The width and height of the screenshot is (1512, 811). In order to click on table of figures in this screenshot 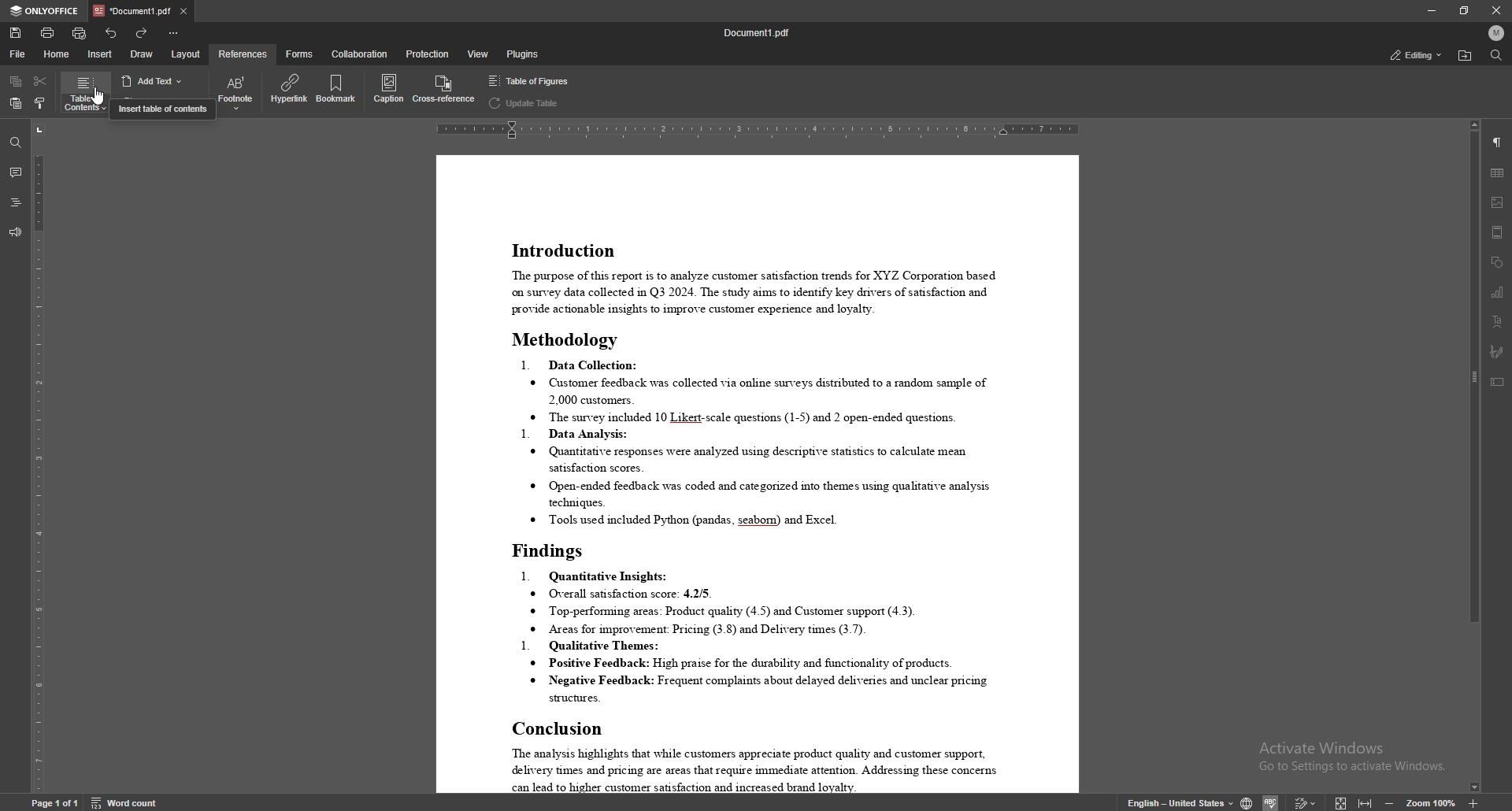, I will do `click(528, 80)`.